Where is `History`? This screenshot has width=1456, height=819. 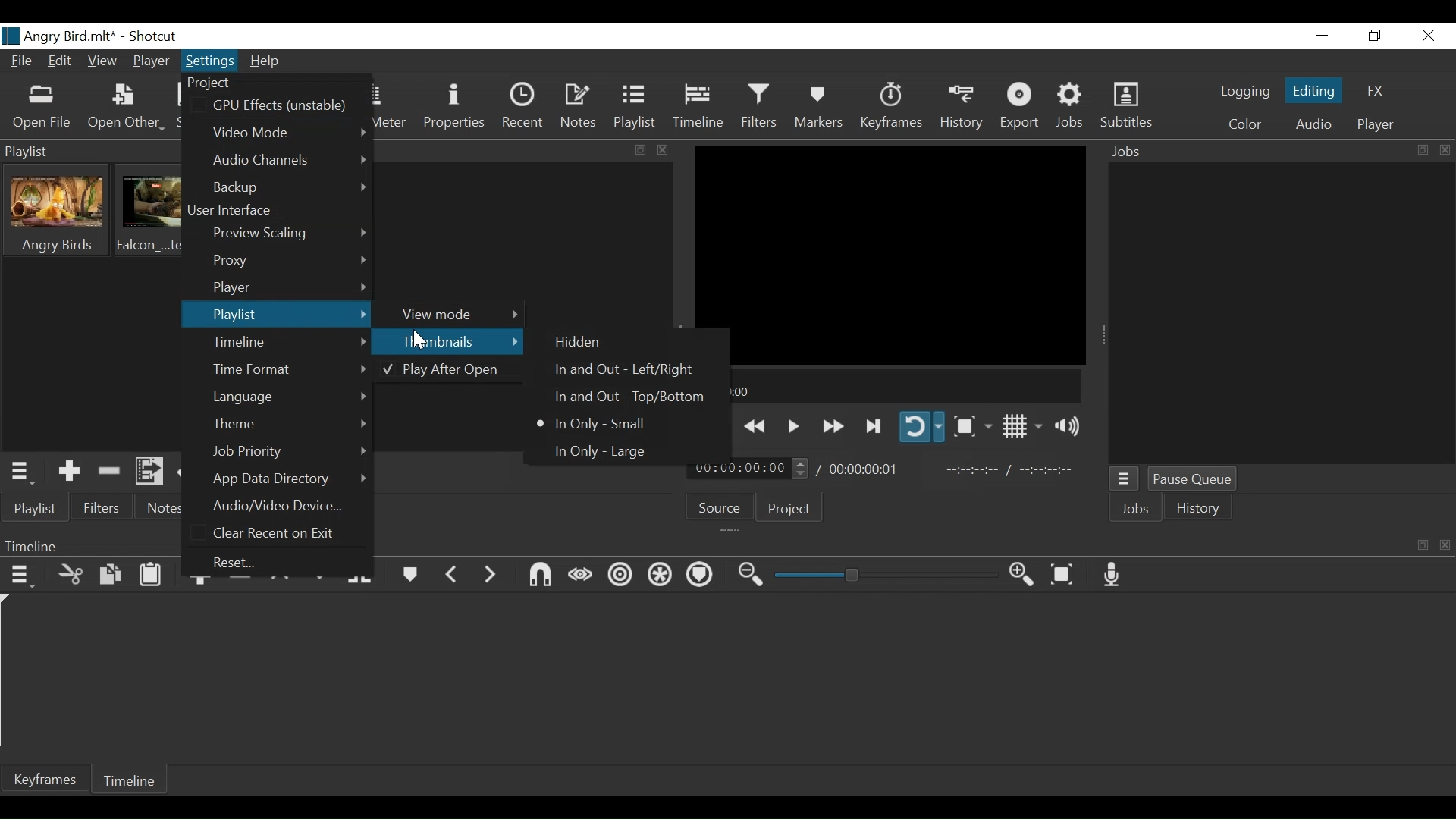 History is located at coordinates (964, 108).